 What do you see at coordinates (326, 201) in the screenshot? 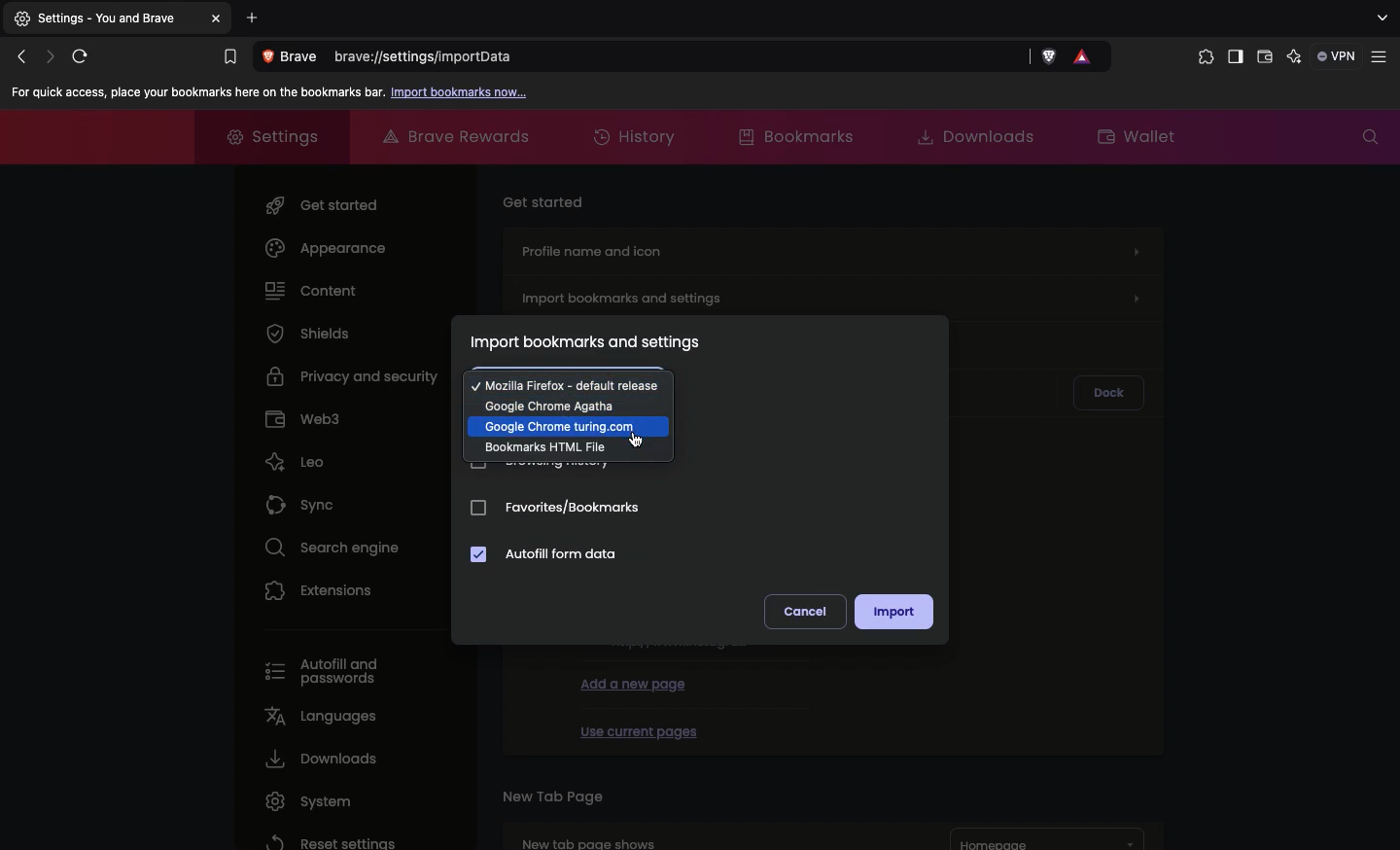
I see `Get started` at bounding box center [326, 201].